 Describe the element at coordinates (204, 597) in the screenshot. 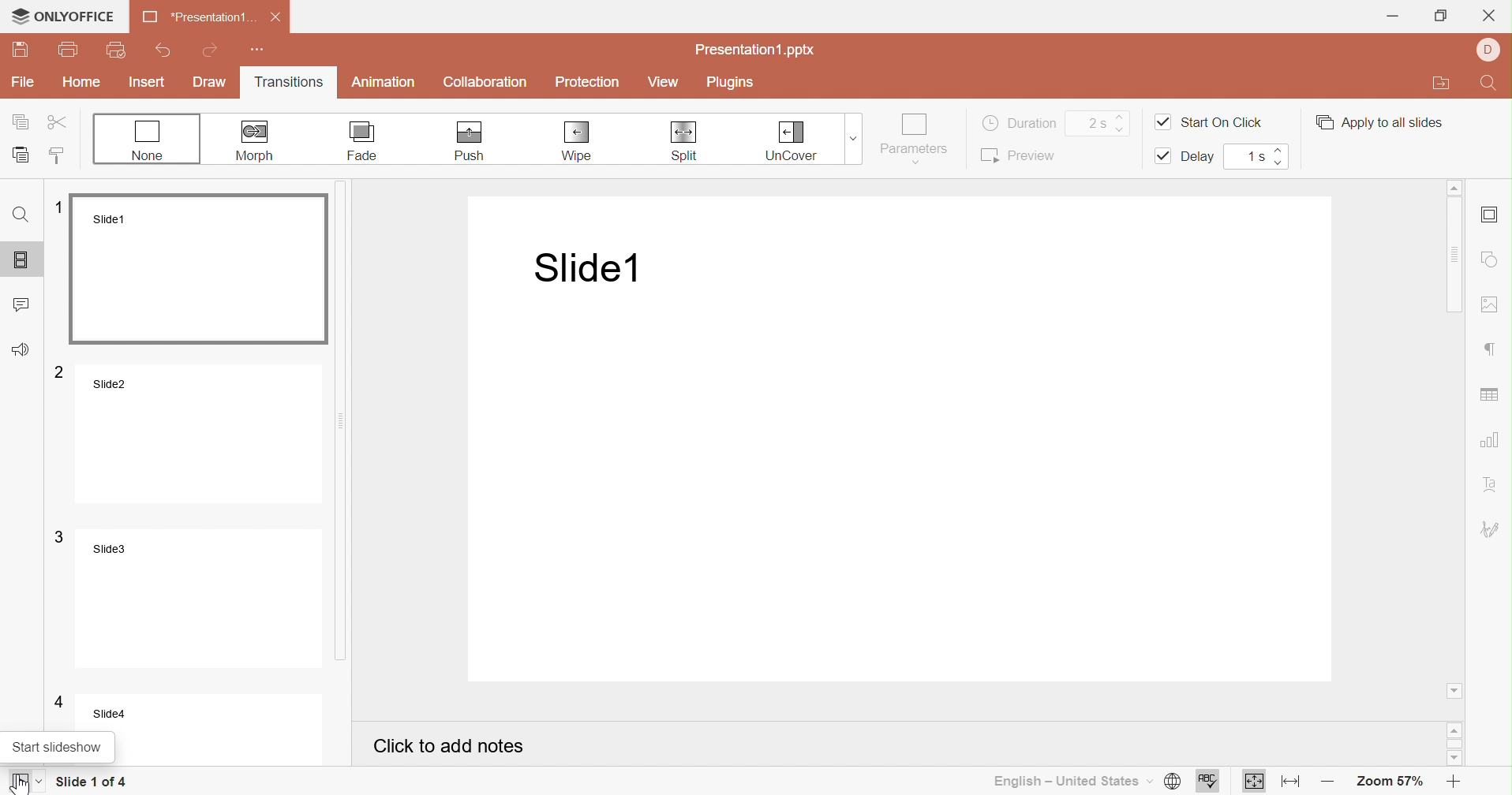

I see `Slide3` at that location.